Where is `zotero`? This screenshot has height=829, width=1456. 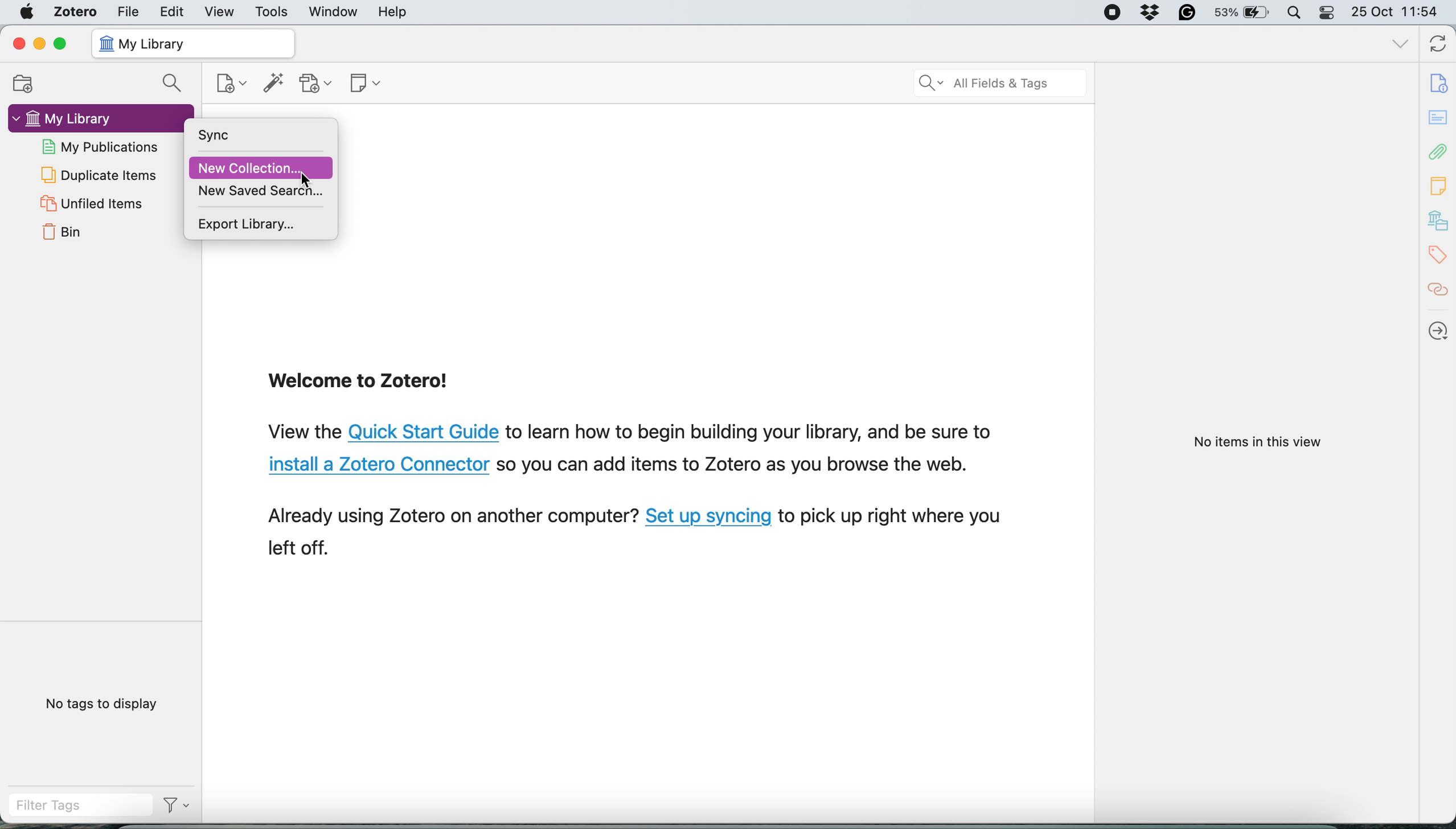
zotero is located at coordinates (75, 11).